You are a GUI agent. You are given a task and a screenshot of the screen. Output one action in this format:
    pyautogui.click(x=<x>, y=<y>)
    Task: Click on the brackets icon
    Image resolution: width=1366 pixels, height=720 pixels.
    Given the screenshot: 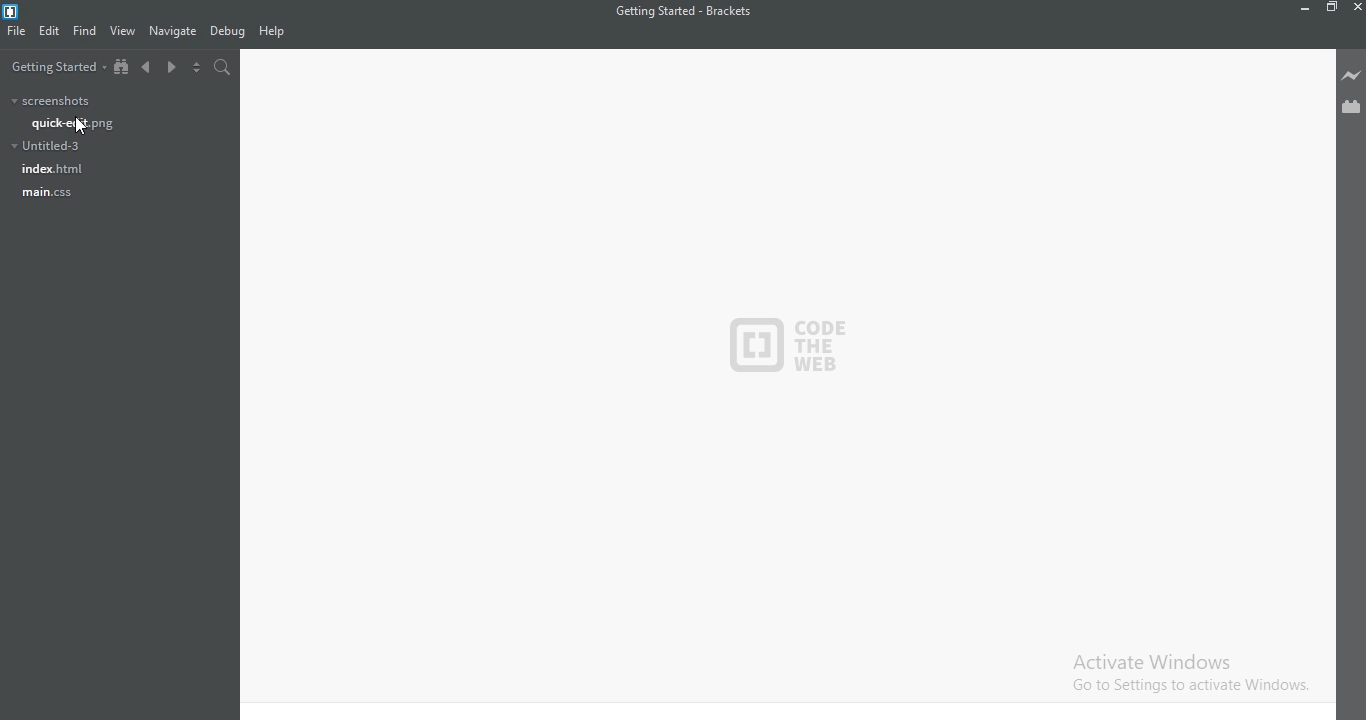 What is the action you would take?
    pyautogui.click(x=13, y=10)
    